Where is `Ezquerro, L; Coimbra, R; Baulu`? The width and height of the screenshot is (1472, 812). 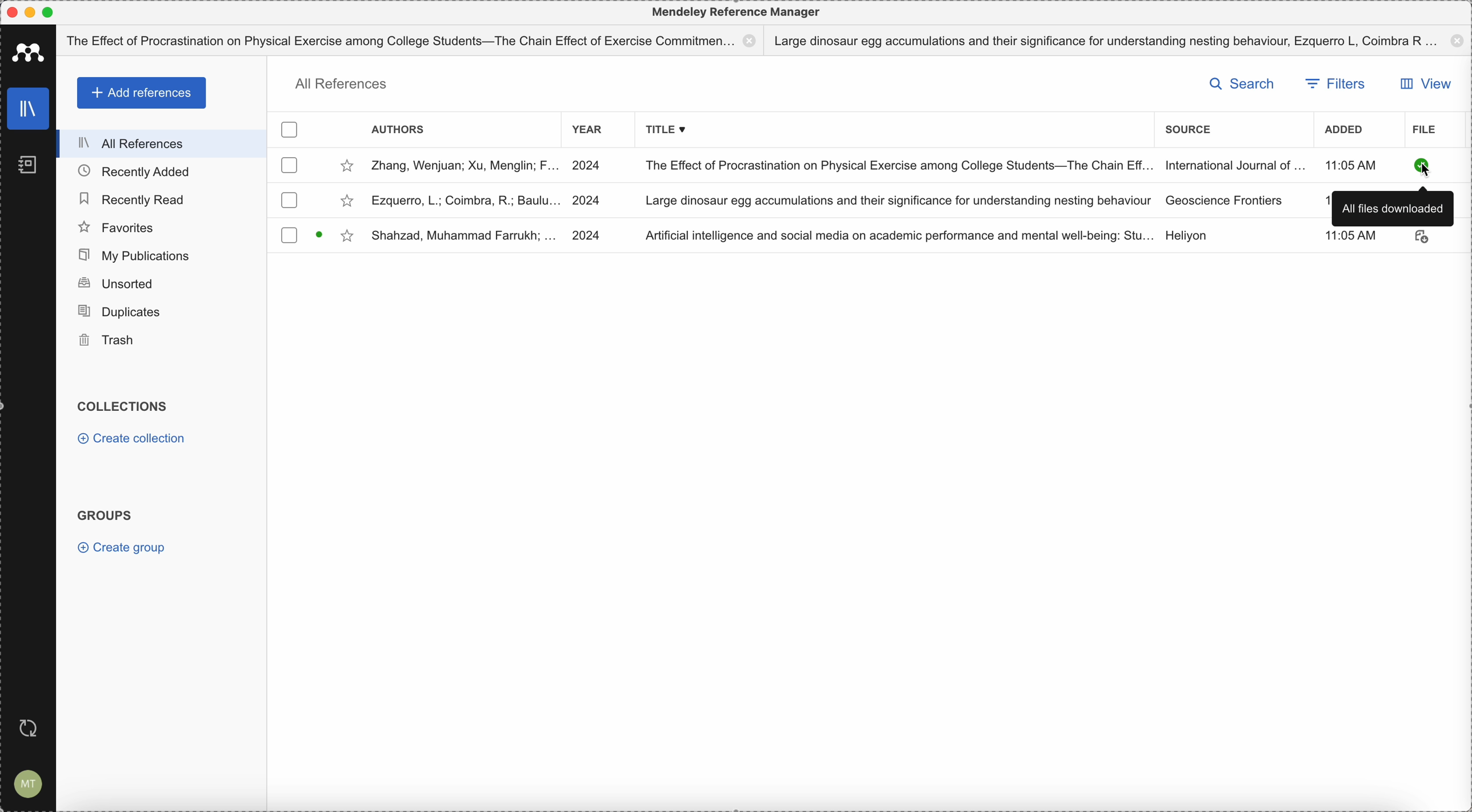
Ezquerro, L; Coimbra, R; Baulu is located at coordinates (465, 201).